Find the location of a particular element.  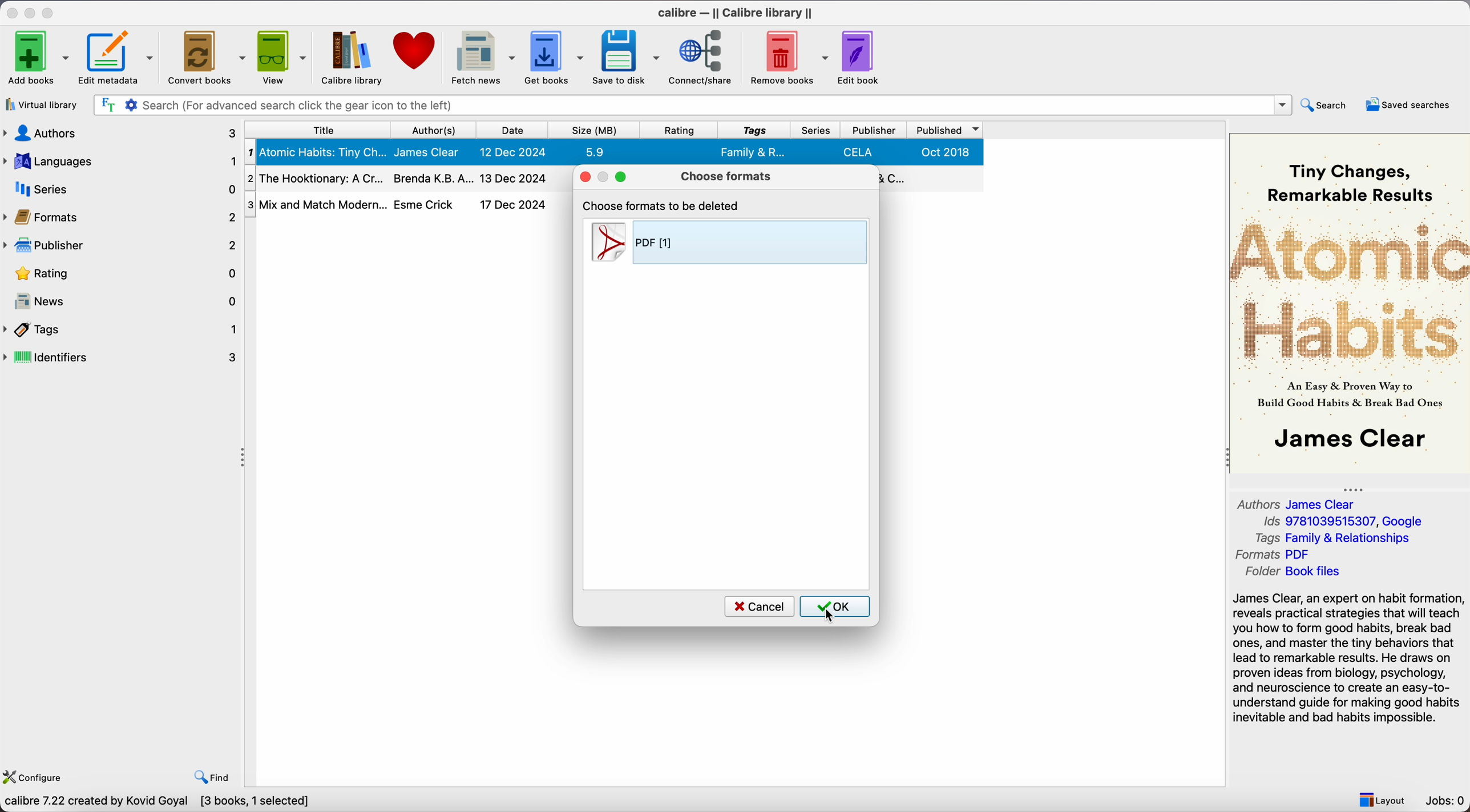

Jobs: 0 is located at coordinates (1445, 801).